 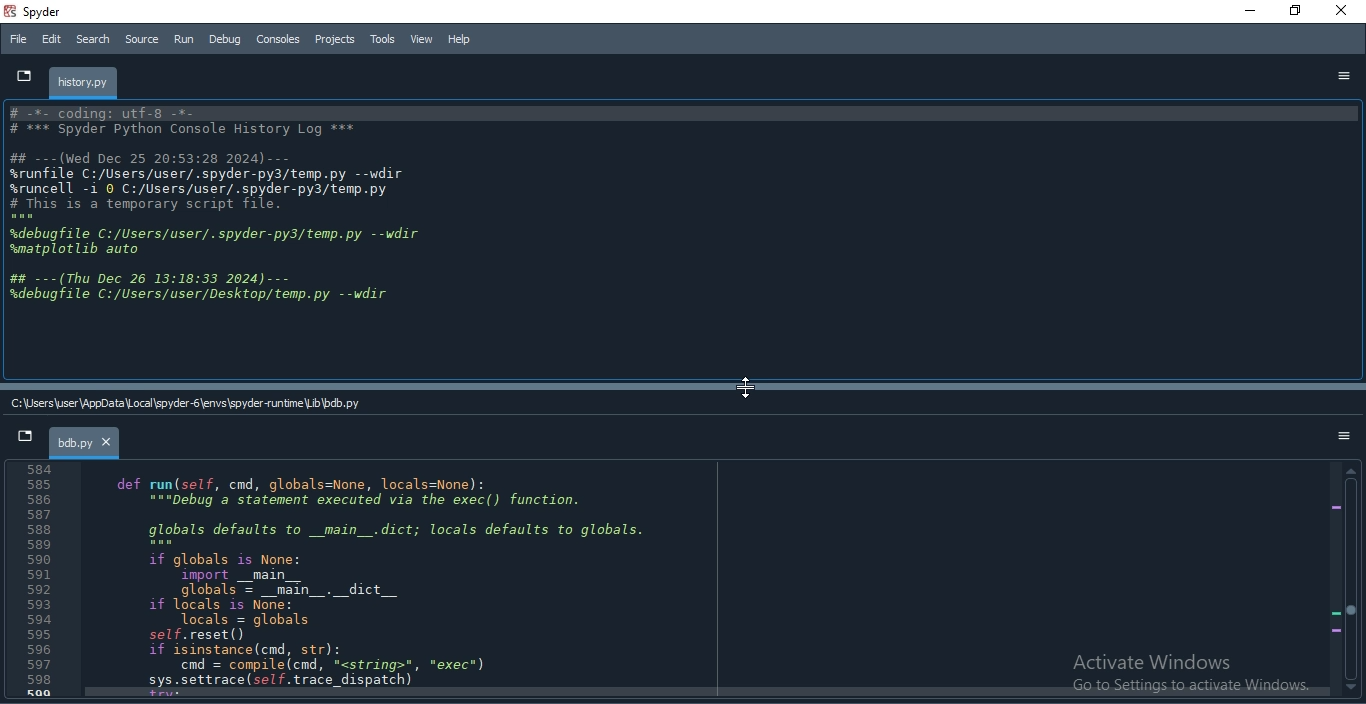 What do you see at coordinates (1351, 580) in the screenshot?
I see `scroll bar` at bounding box center [1351, 580].